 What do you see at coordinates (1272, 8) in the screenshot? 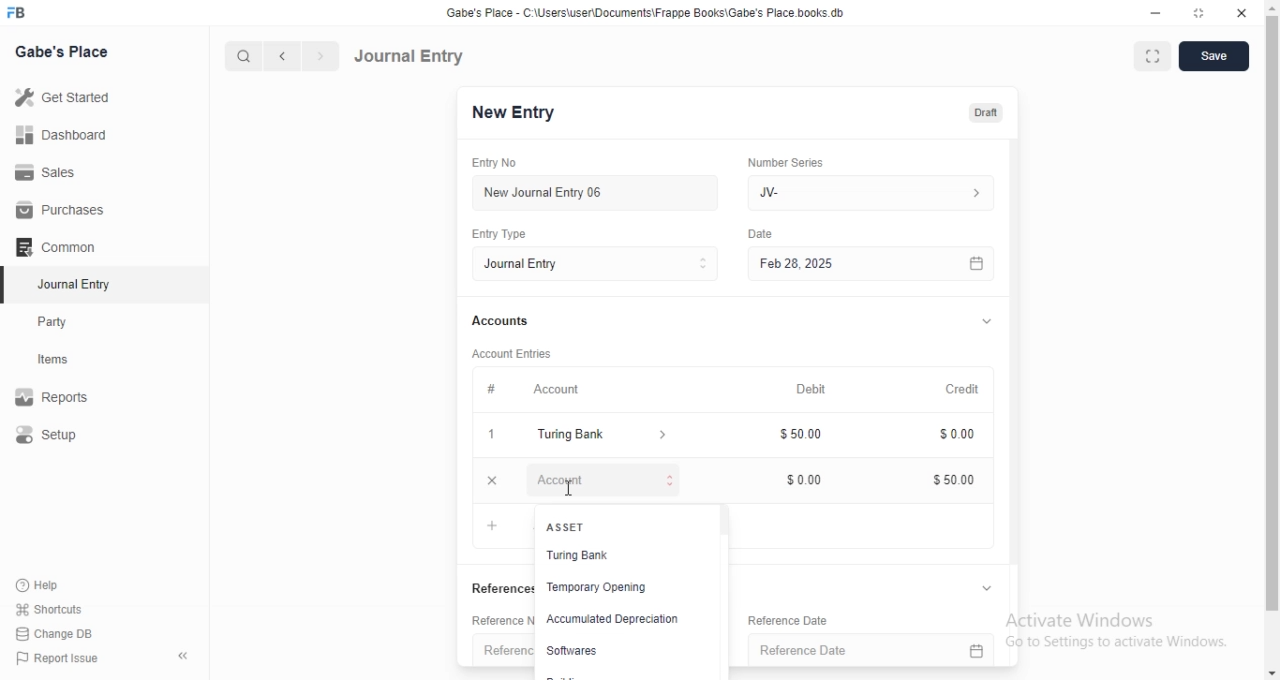
I see `move up` at bounding box center [1272, 8].